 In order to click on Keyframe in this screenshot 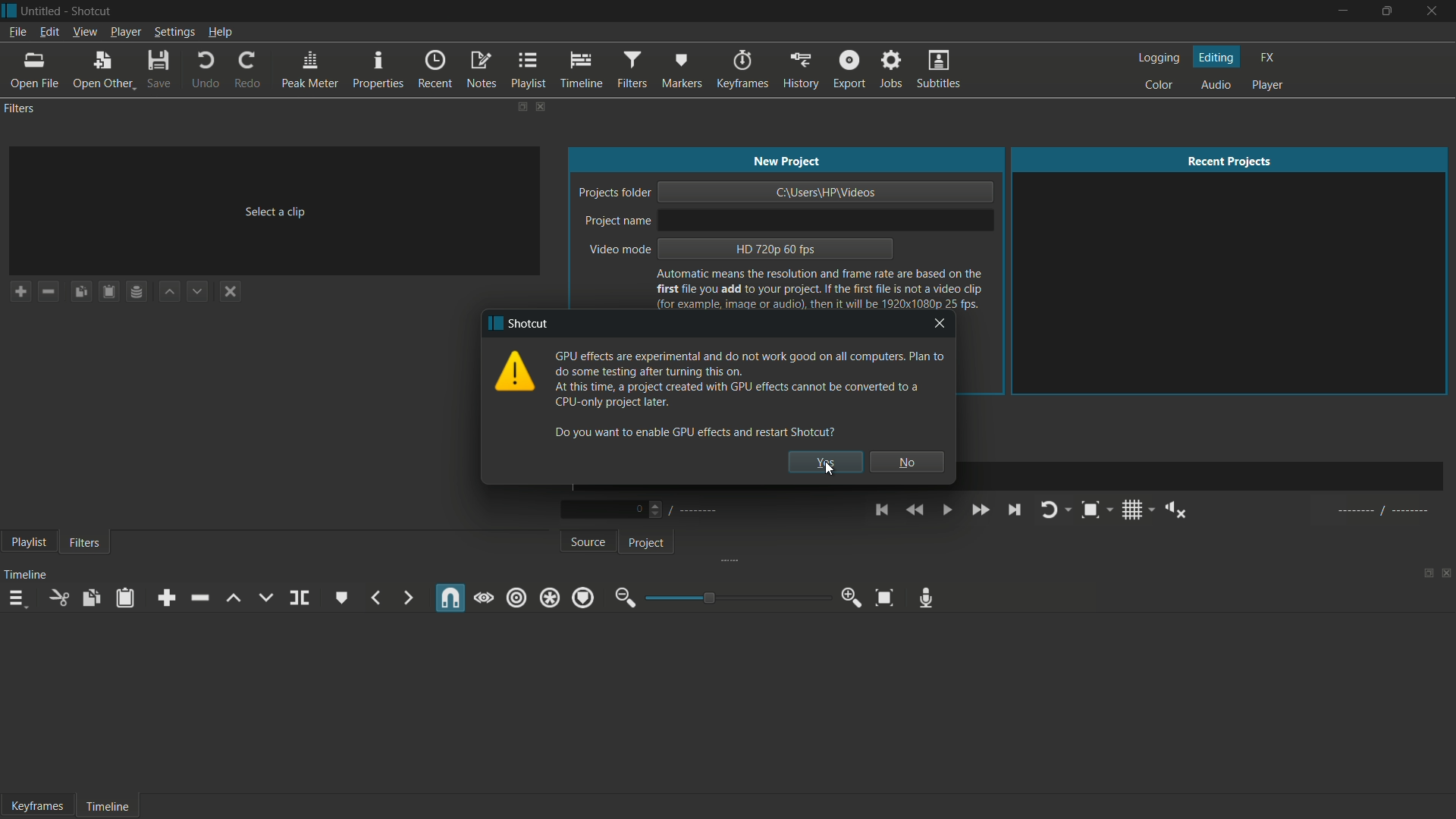, I will do `click(33, 805)`.